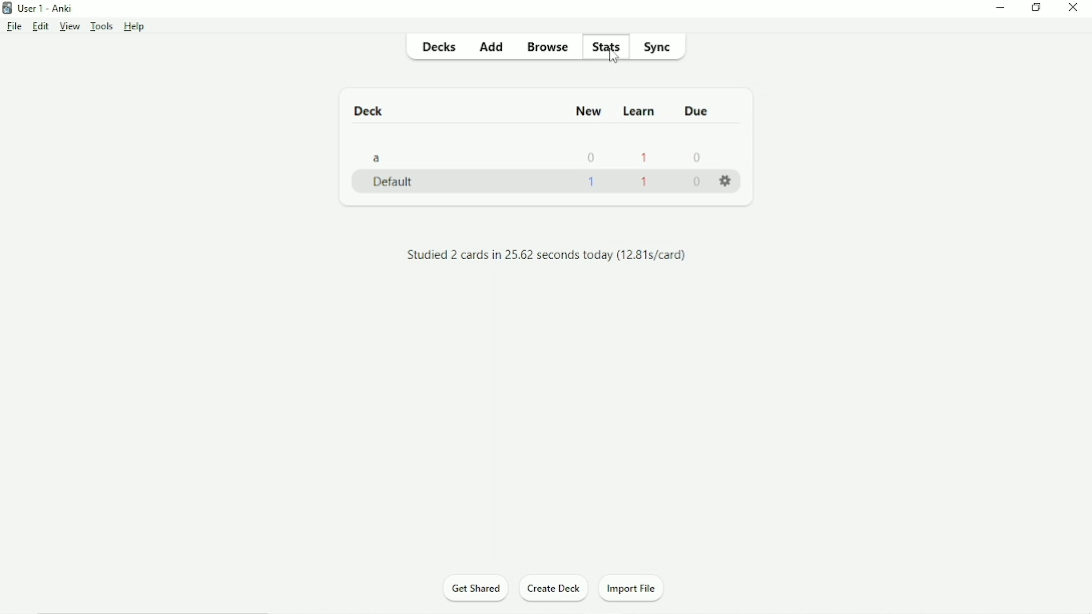  What do you see at coordinates (688, 111) in the screenshot?
I see `Due` at bounding box center [688, 111].